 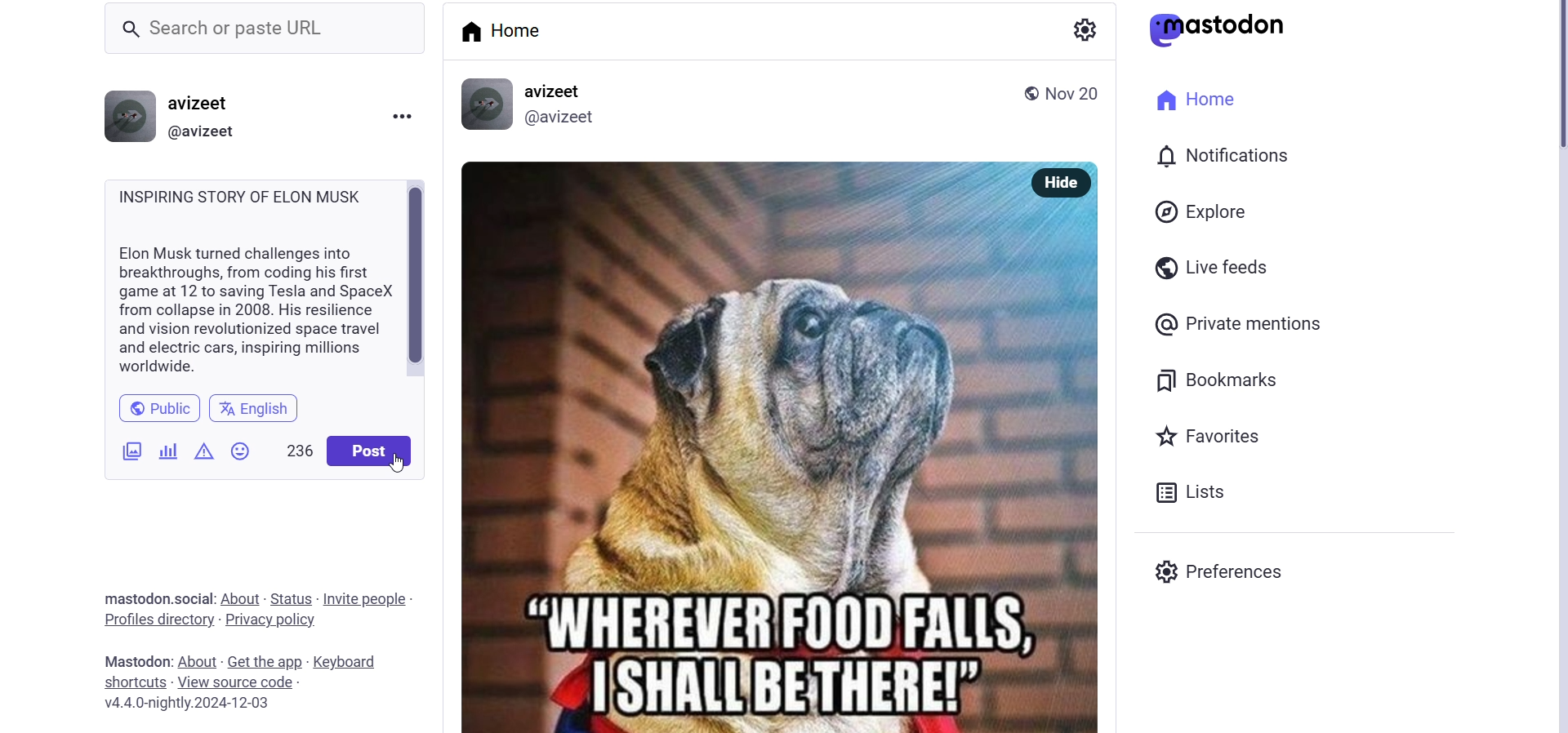 What do you see at coordinates (1220, 158) in the screenshot?
I see `notifications` at bounding box center [1220, 158].